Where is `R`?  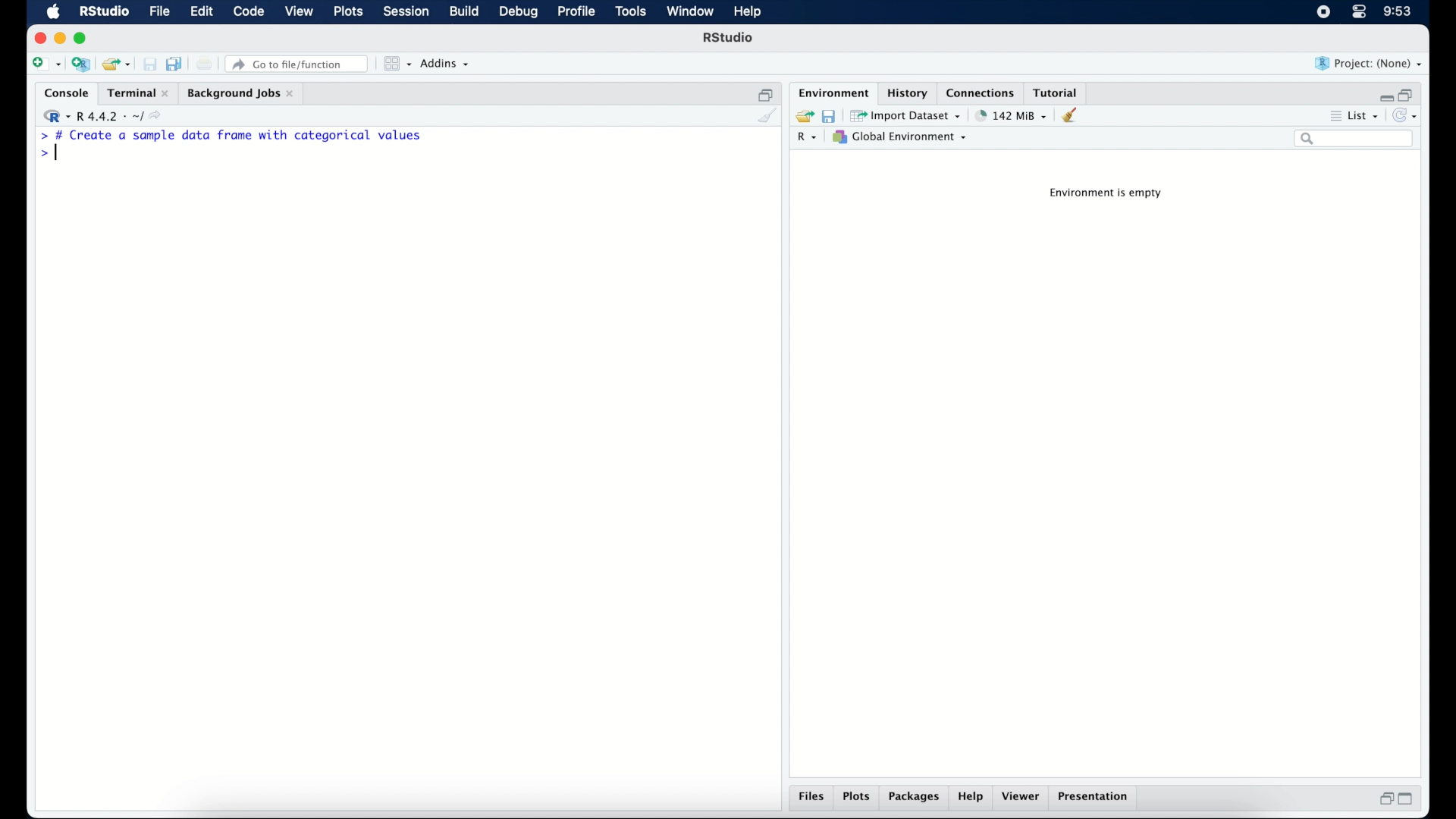
R is located at coordinates (810, 138).